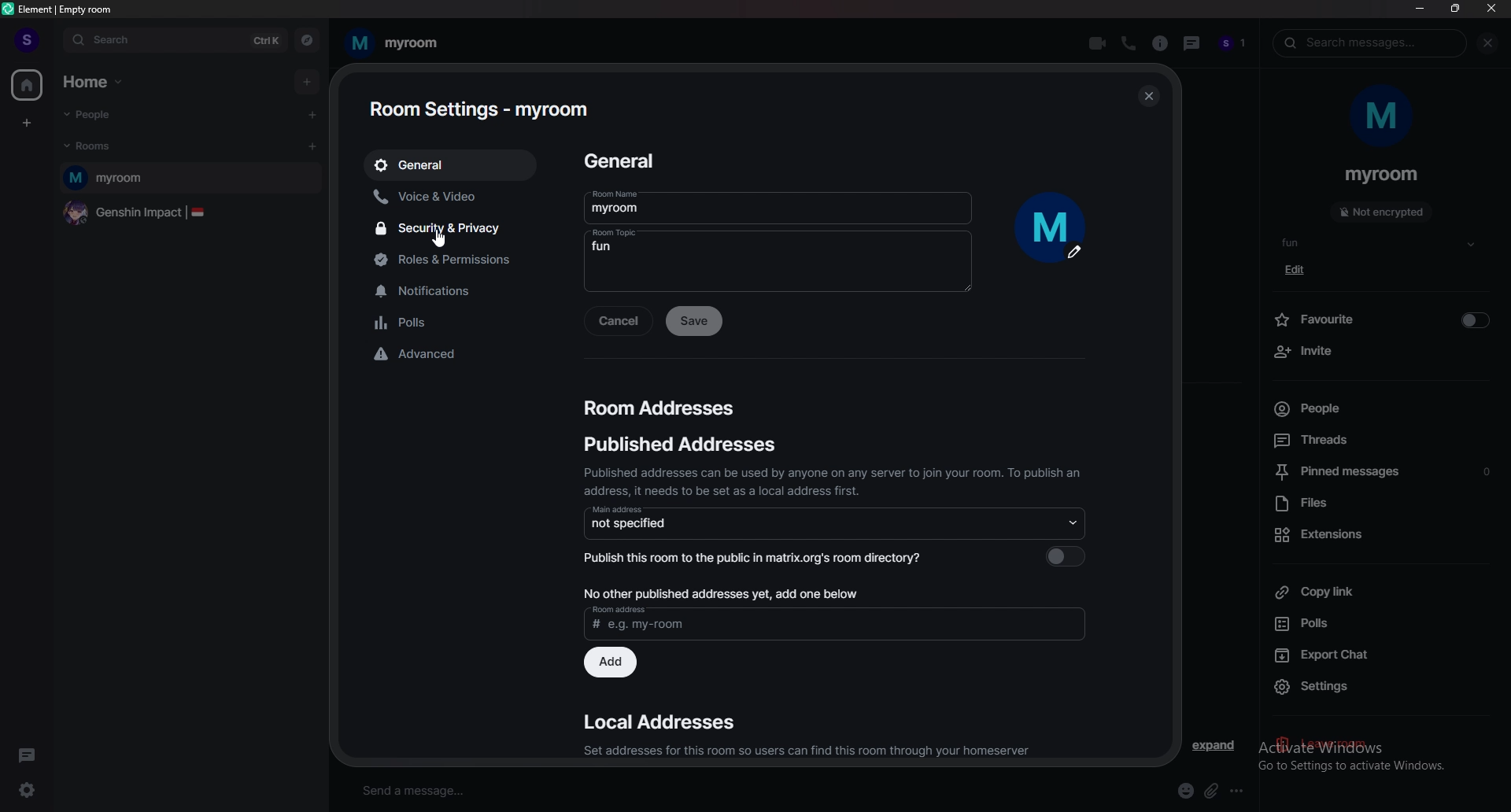 This screenshot has width=1511, height=812. I want to click on video call, so click(1097, 43).